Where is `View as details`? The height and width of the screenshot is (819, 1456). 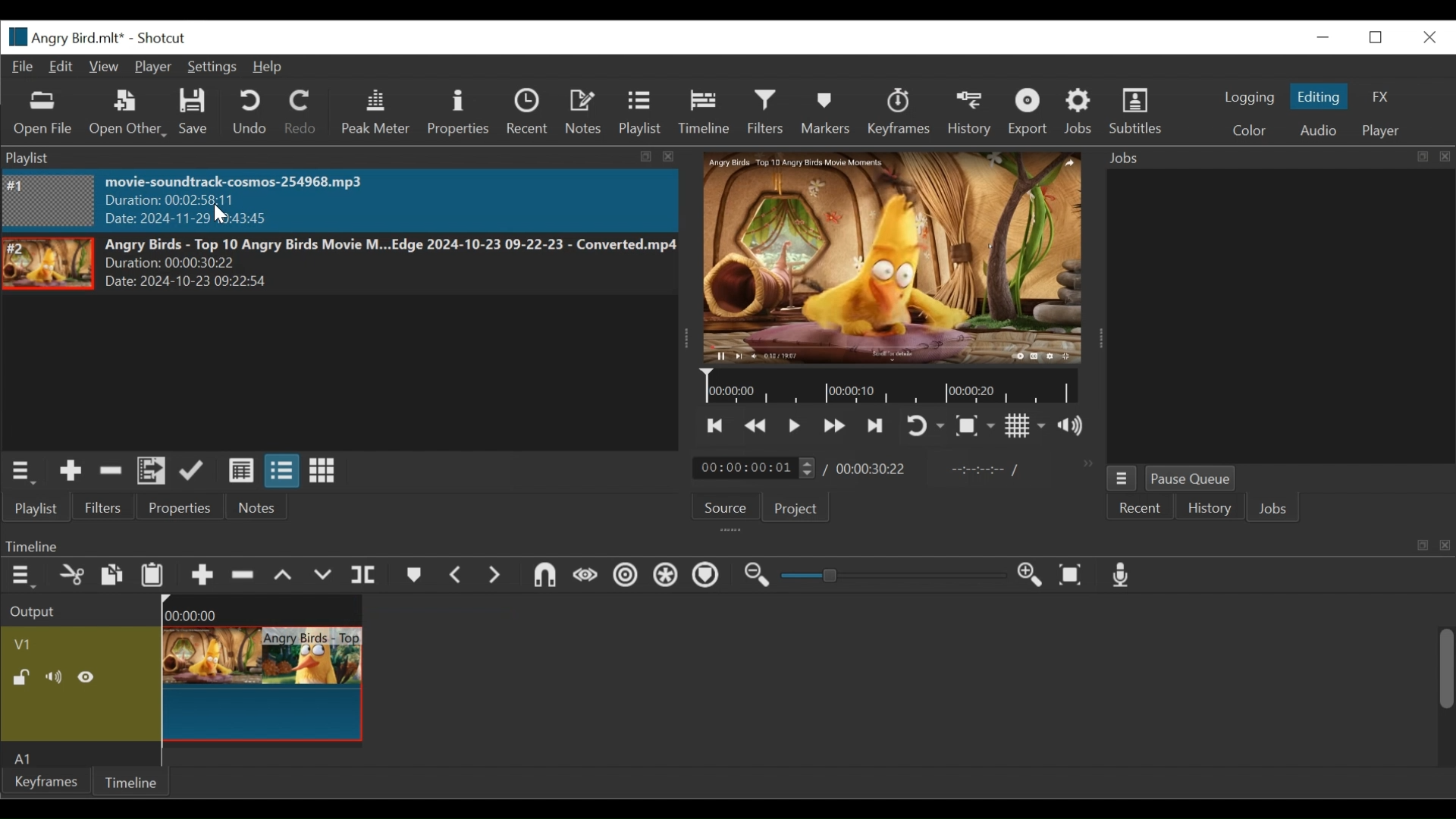 View as details is located at coordinates (240, 472).